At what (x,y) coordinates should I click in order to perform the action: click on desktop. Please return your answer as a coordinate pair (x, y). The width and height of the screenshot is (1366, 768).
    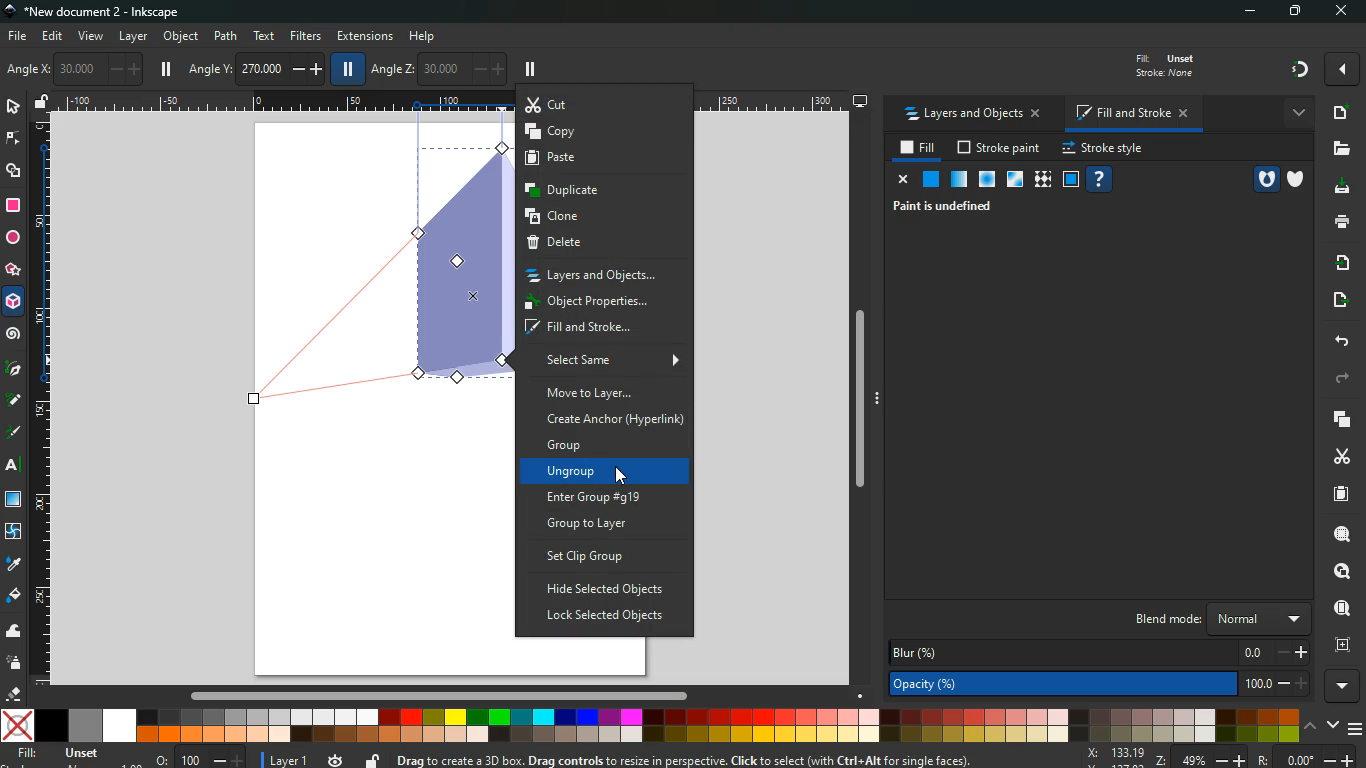
    Looking at the image, I should click on (861, 101).